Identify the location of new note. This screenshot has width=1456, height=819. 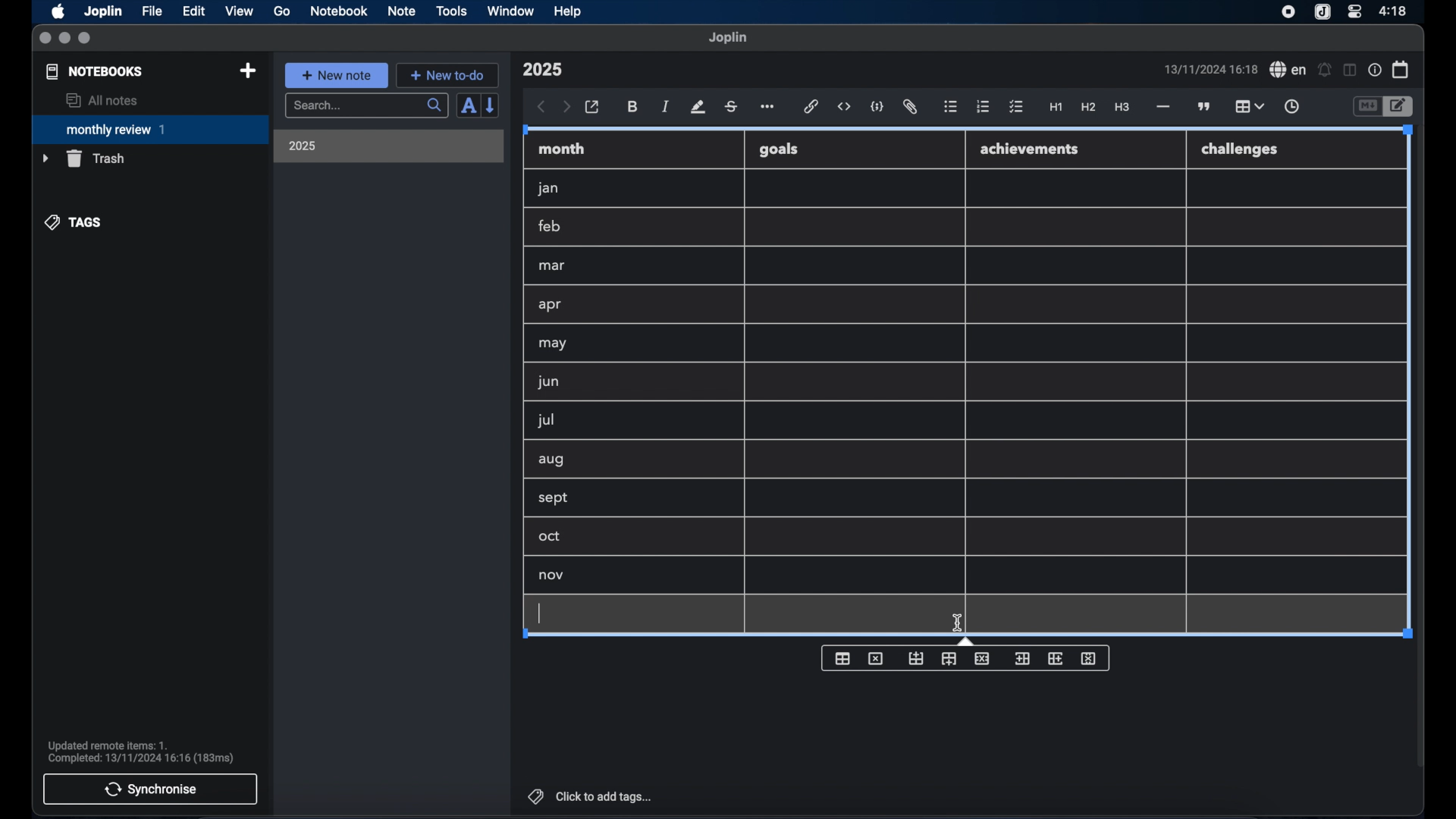
(336, 75).